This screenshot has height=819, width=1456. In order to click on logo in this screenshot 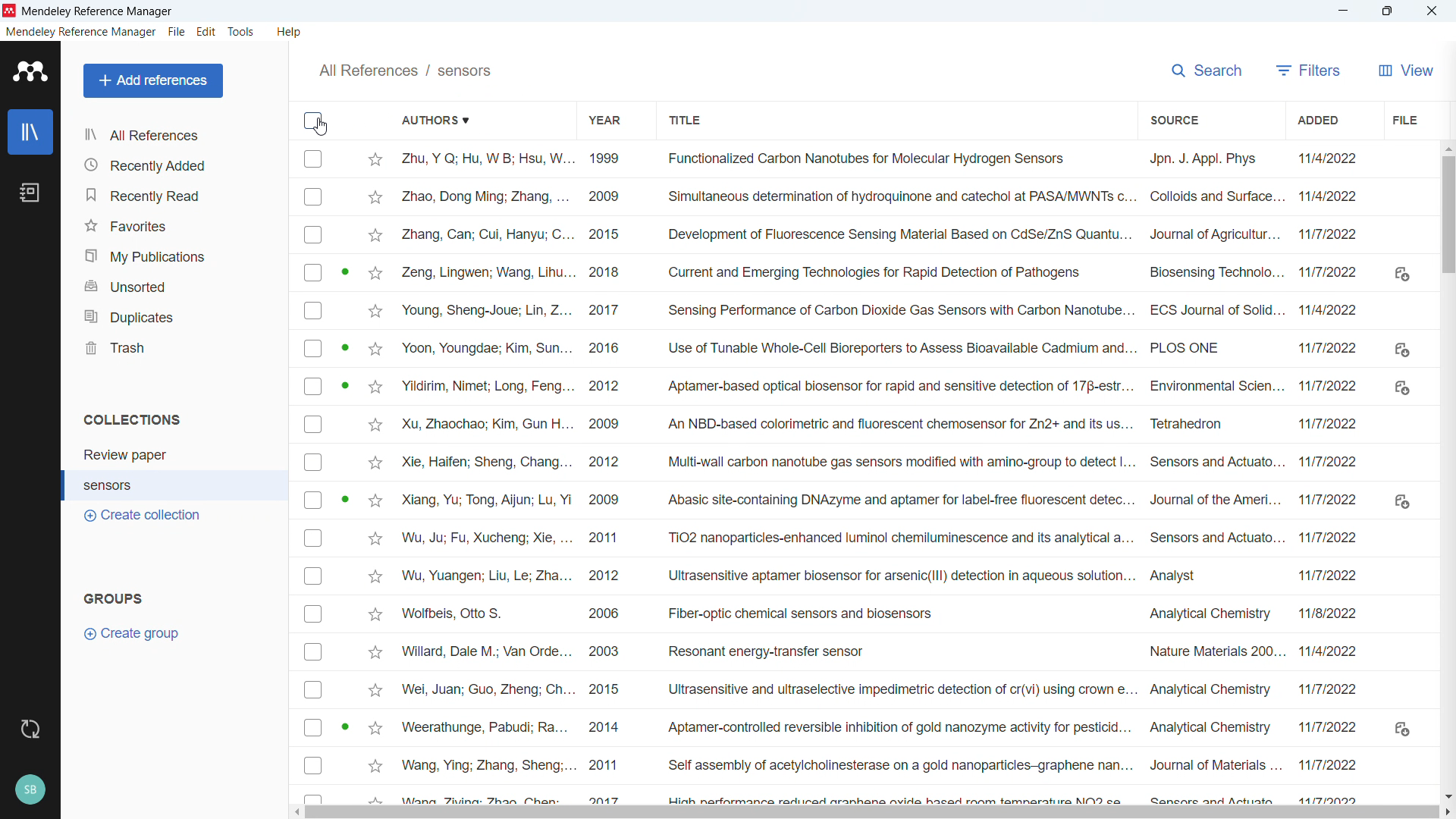, I will do `click(31, 71)`.